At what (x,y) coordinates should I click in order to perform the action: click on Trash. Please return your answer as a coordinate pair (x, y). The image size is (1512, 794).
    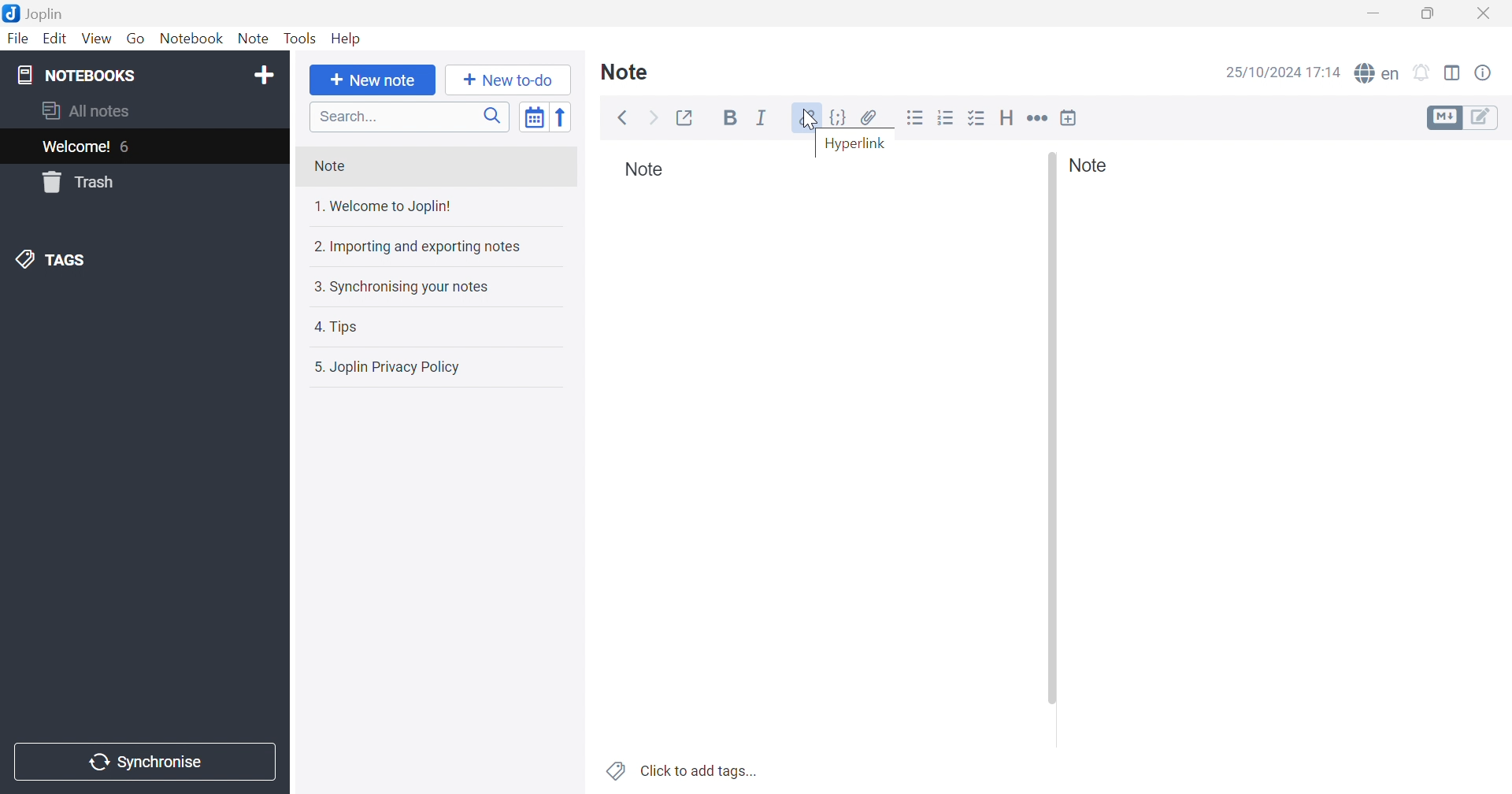
    Looking at the image, I should click on (141, 182).